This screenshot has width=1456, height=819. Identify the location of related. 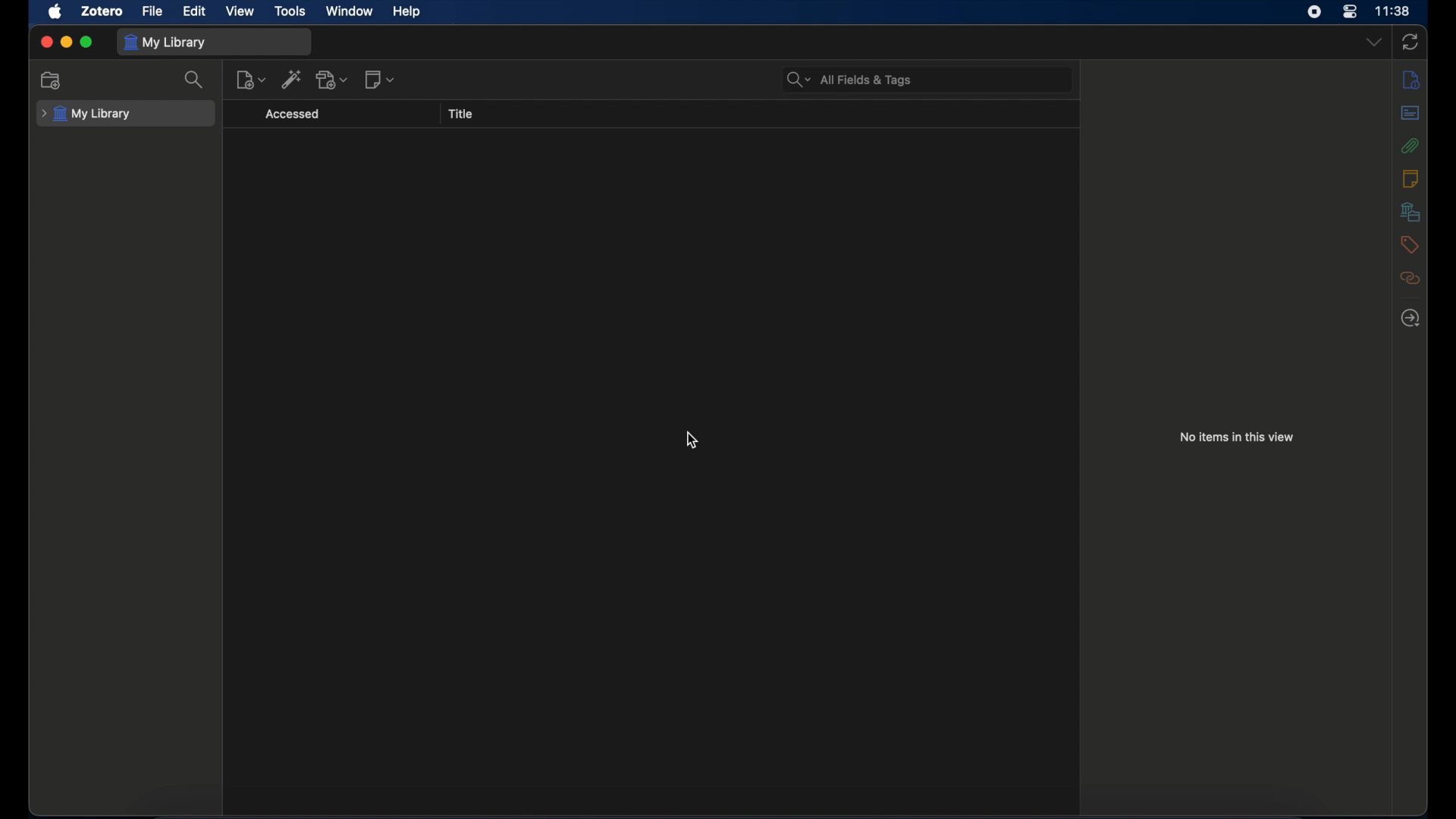
(1409, 278).